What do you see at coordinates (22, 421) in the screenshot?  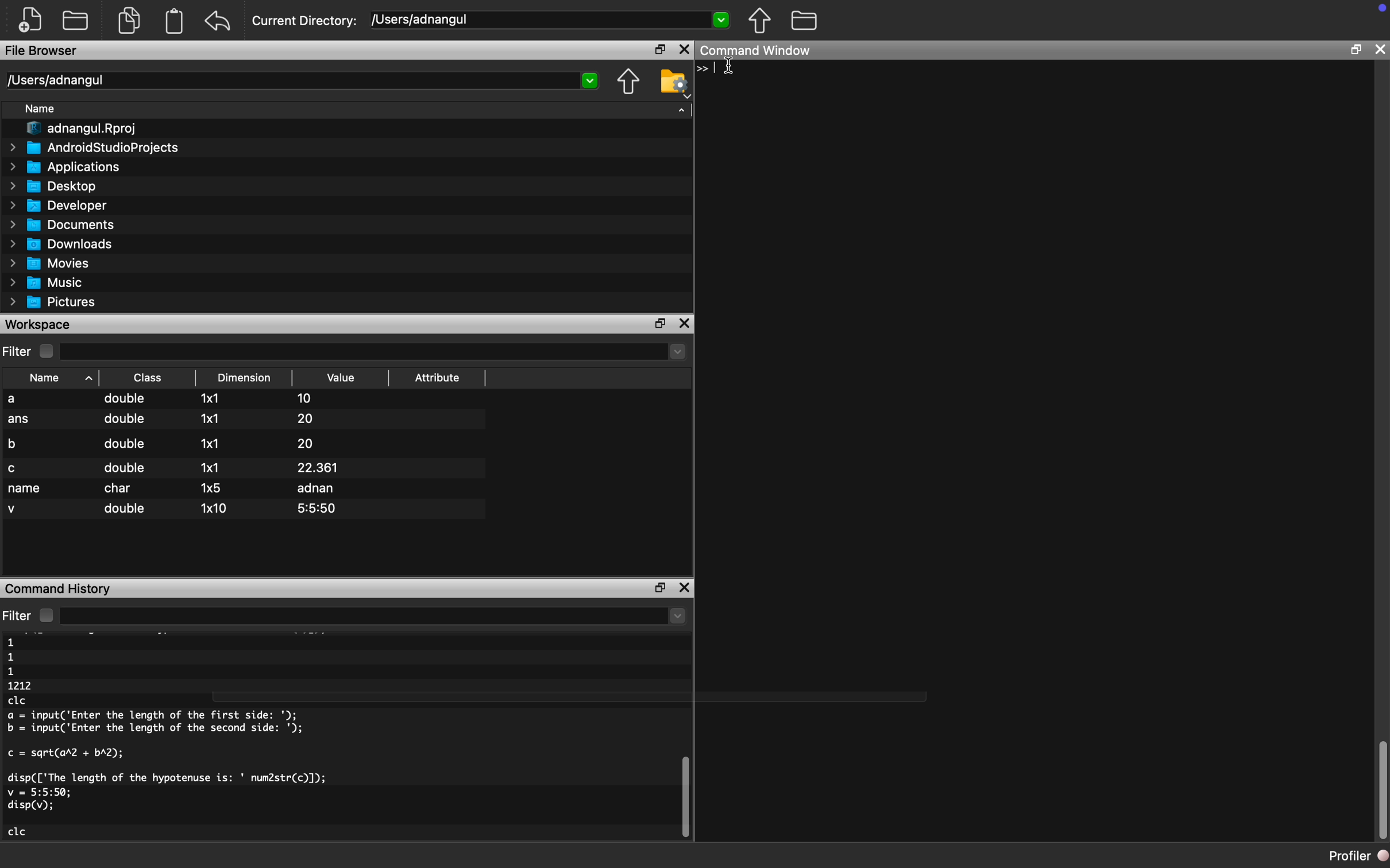 I see `ans` at bounding box center [22, 421].